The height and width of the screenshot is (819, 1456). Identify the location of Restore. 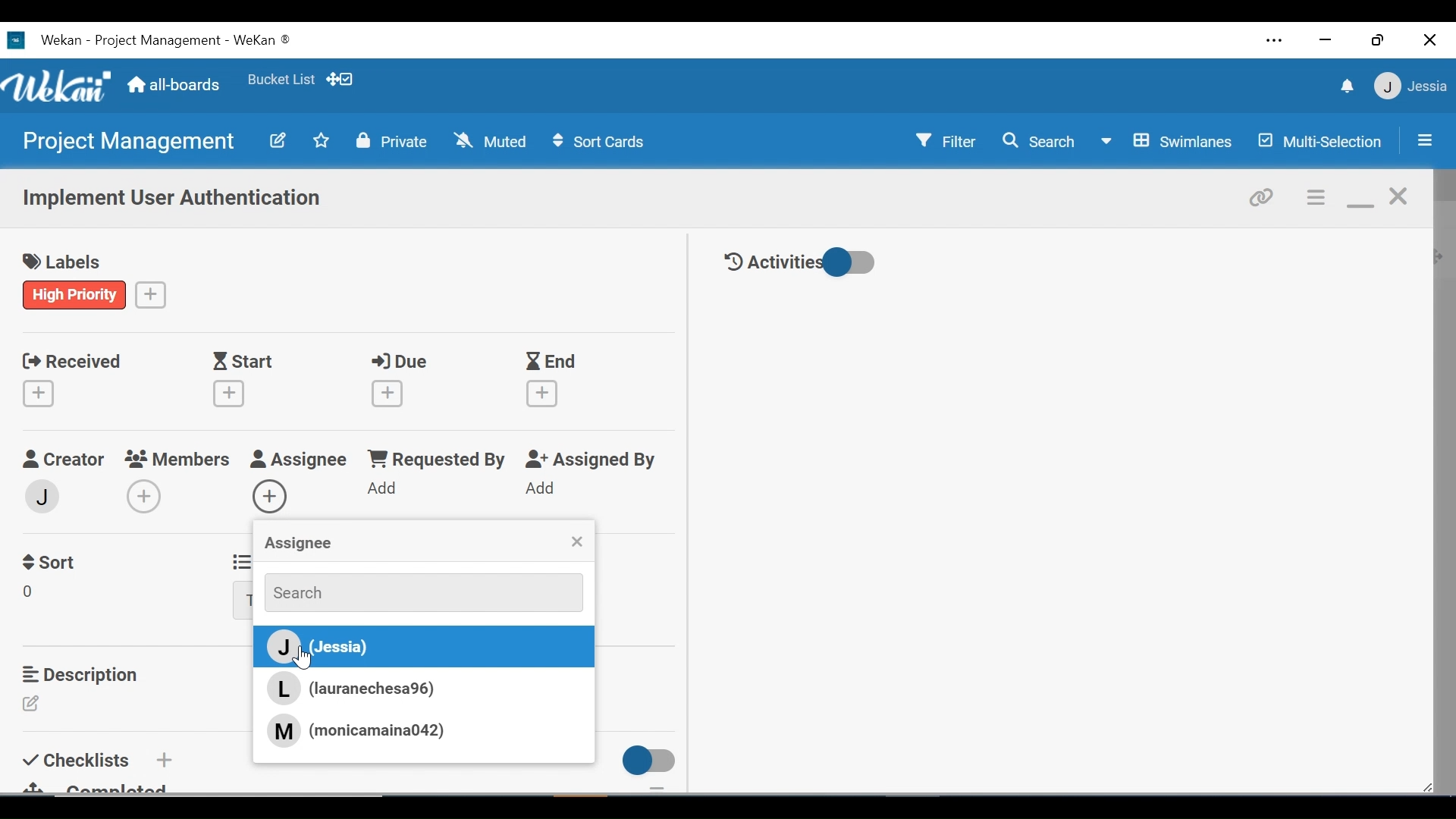
(1379, 39).